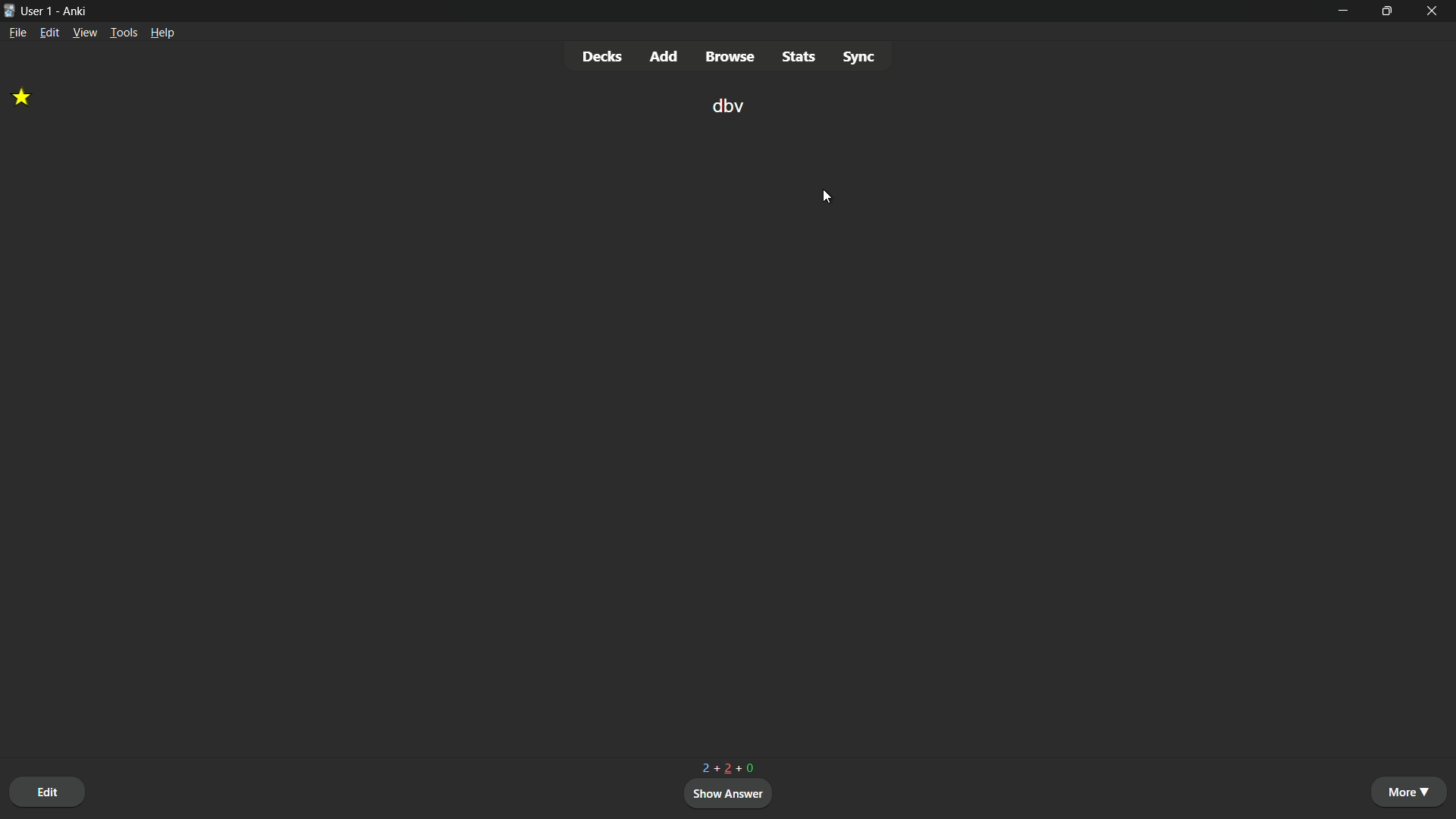 This screenshot has width=1456, height=819. I want to click on edit, so click(48, 792).